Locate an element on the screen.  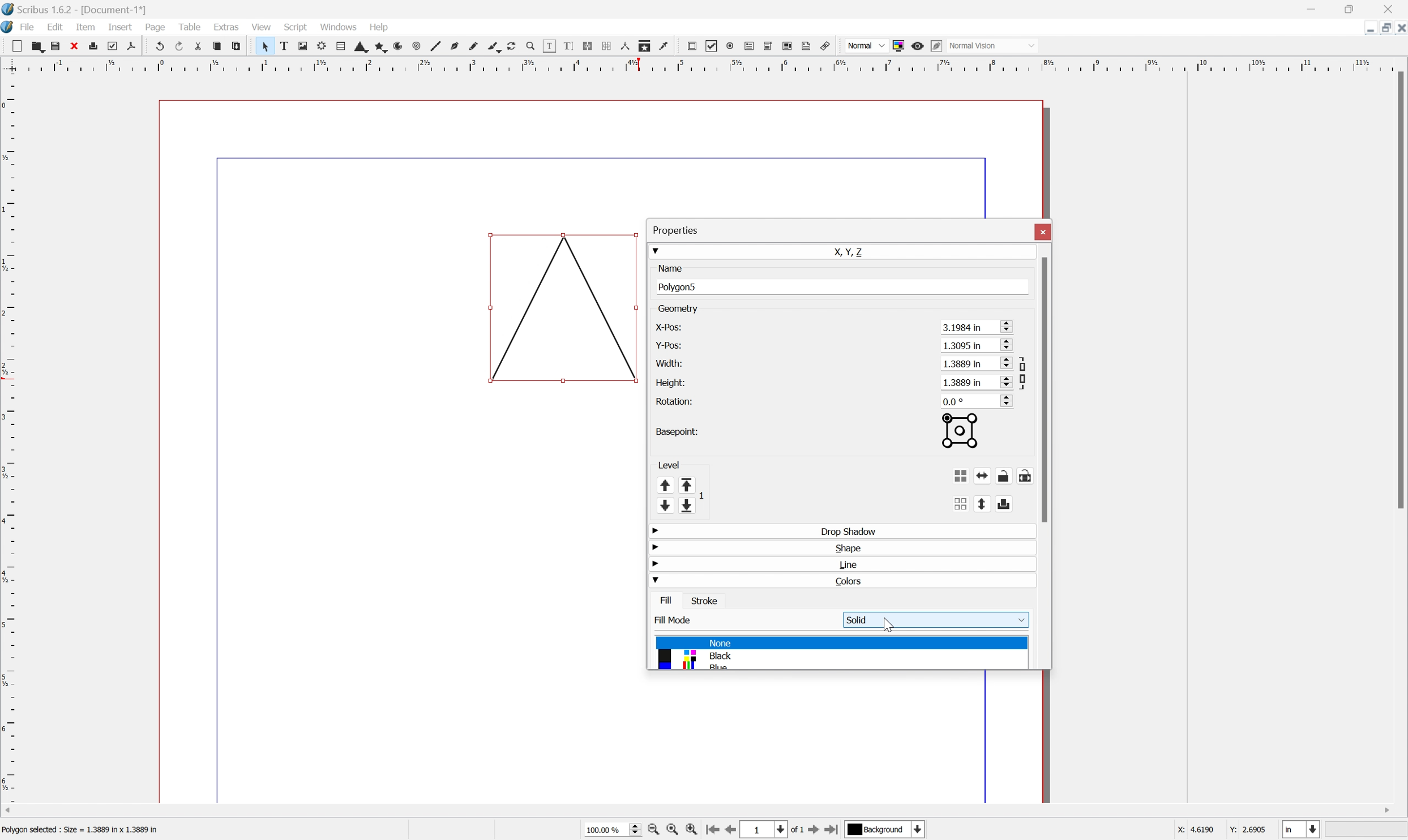
View is located at coordinates (263, 27).